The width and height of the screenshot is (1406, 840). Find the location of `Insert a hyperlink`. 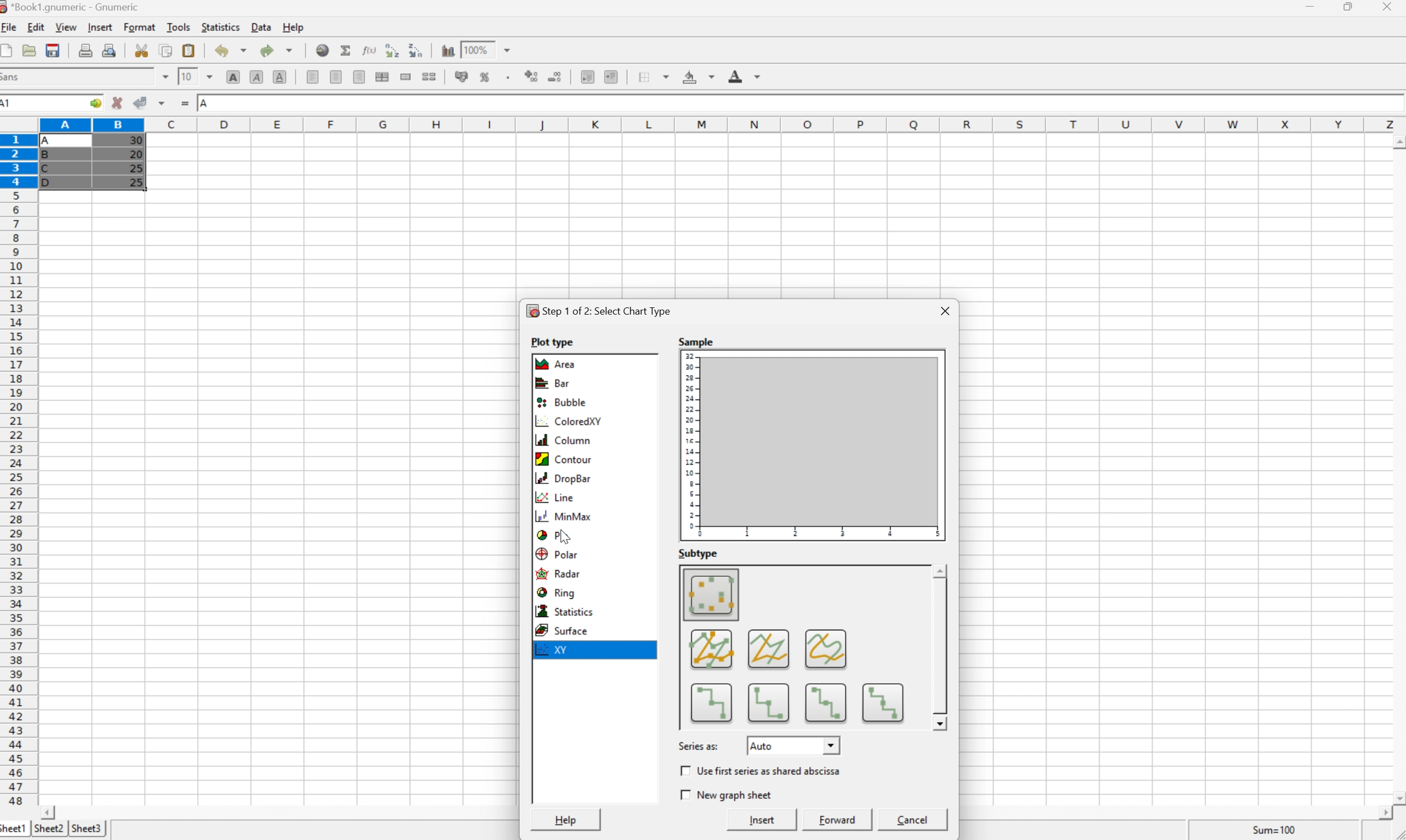

Insert a hyperlink is located at coordinates (323, 50).